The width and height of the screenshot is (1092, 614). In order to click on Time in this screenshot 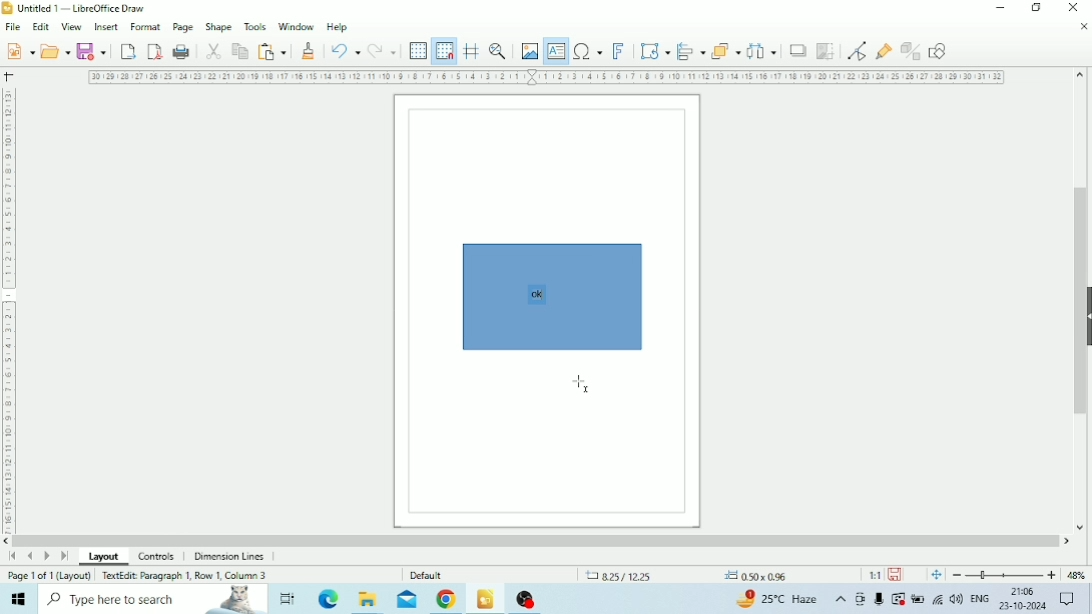, I will do `click(1022, 591)`.